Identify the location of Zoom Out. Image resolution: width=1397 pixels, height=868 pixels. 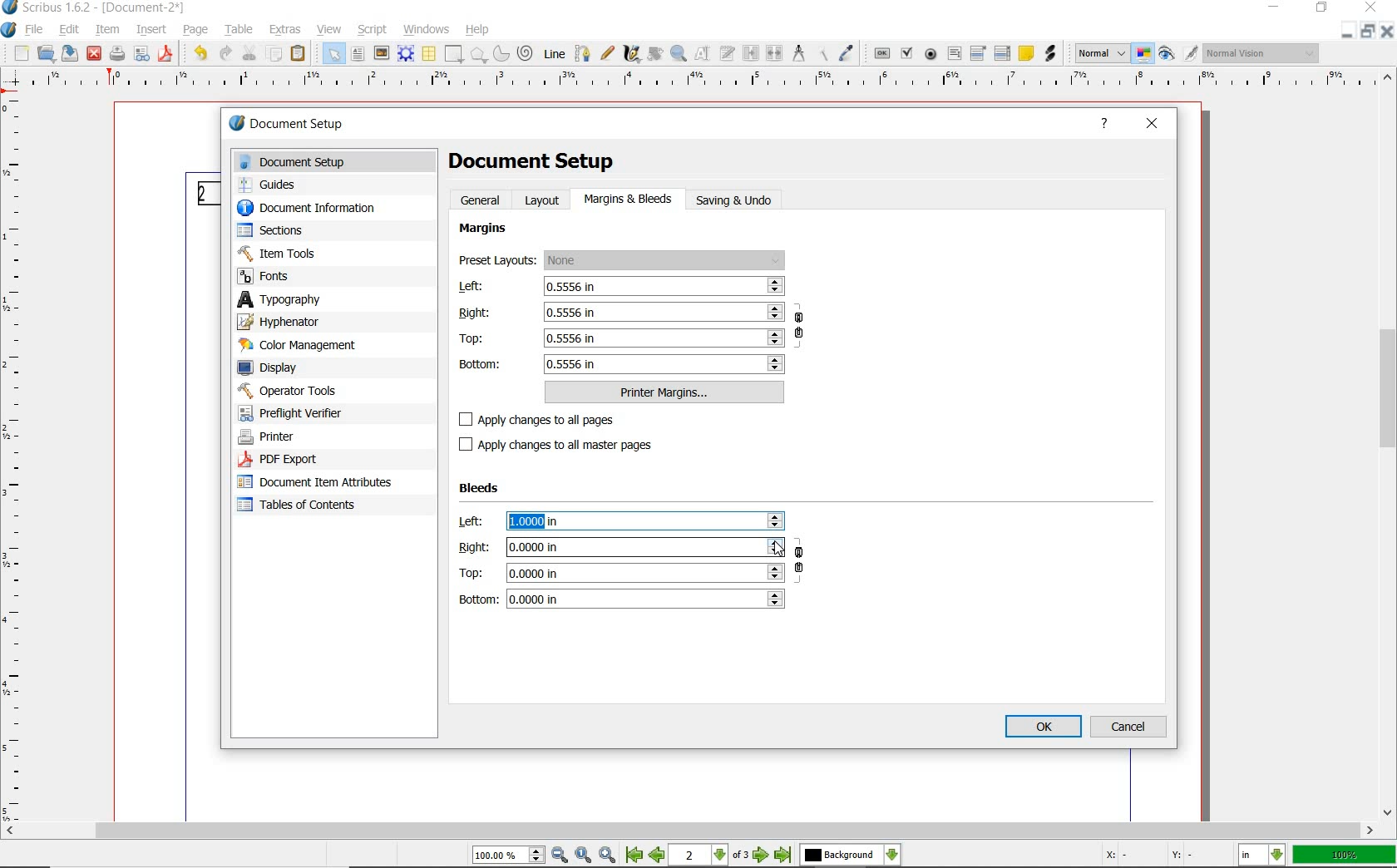
(560, 856).